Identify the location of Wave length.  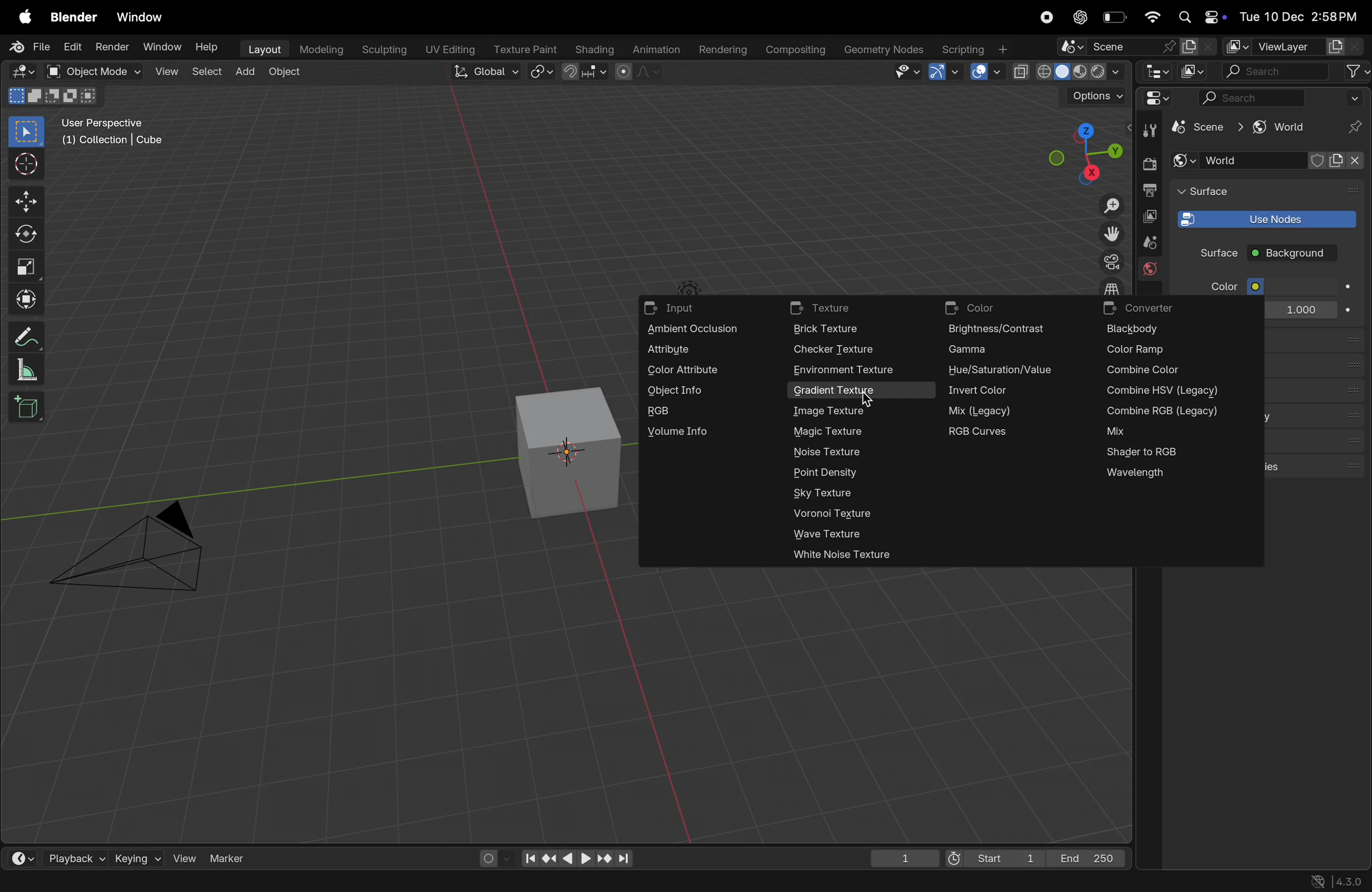
(1169, 477).